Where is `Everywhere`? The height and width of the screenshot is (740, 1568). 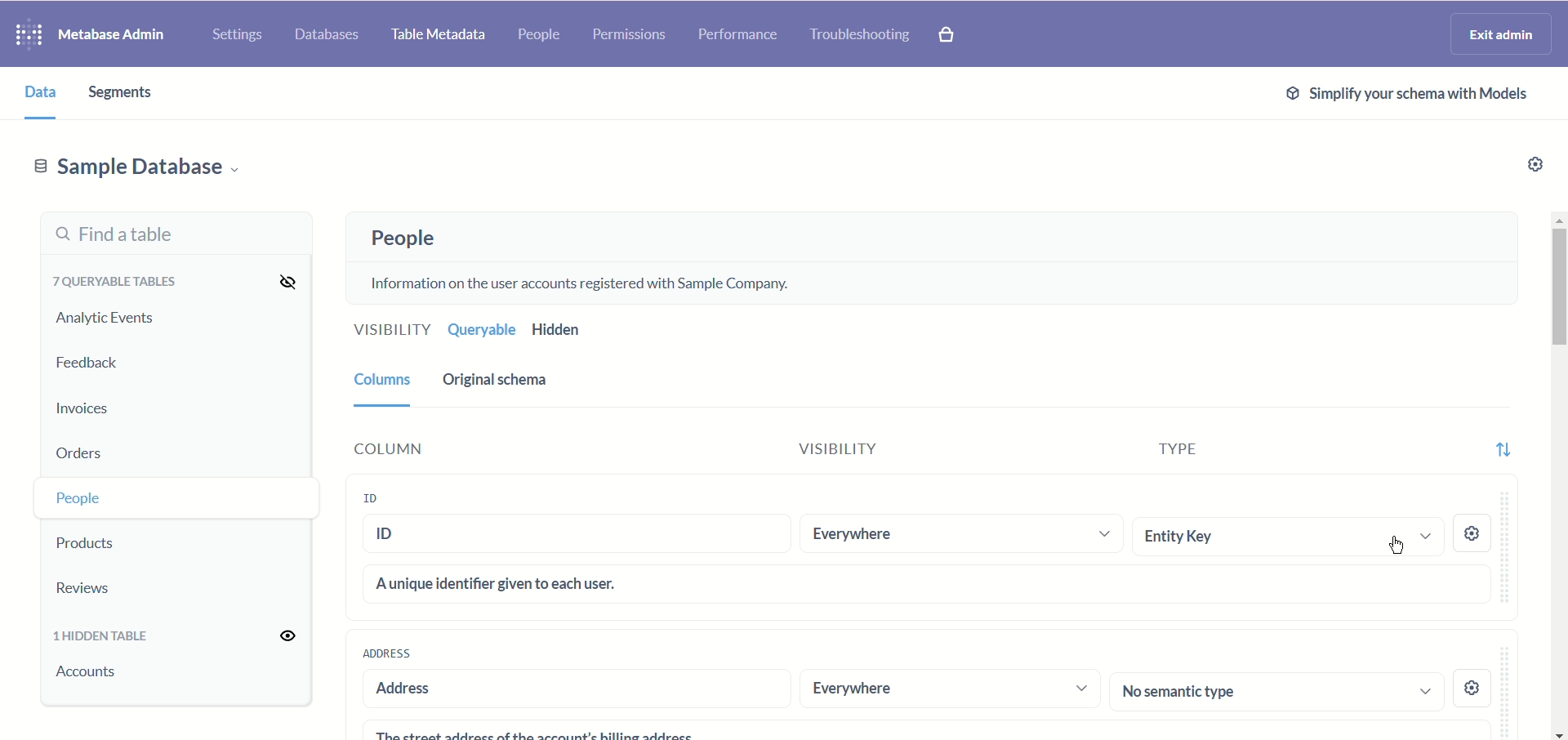
Everywhere is located at coordinates (950, 689).